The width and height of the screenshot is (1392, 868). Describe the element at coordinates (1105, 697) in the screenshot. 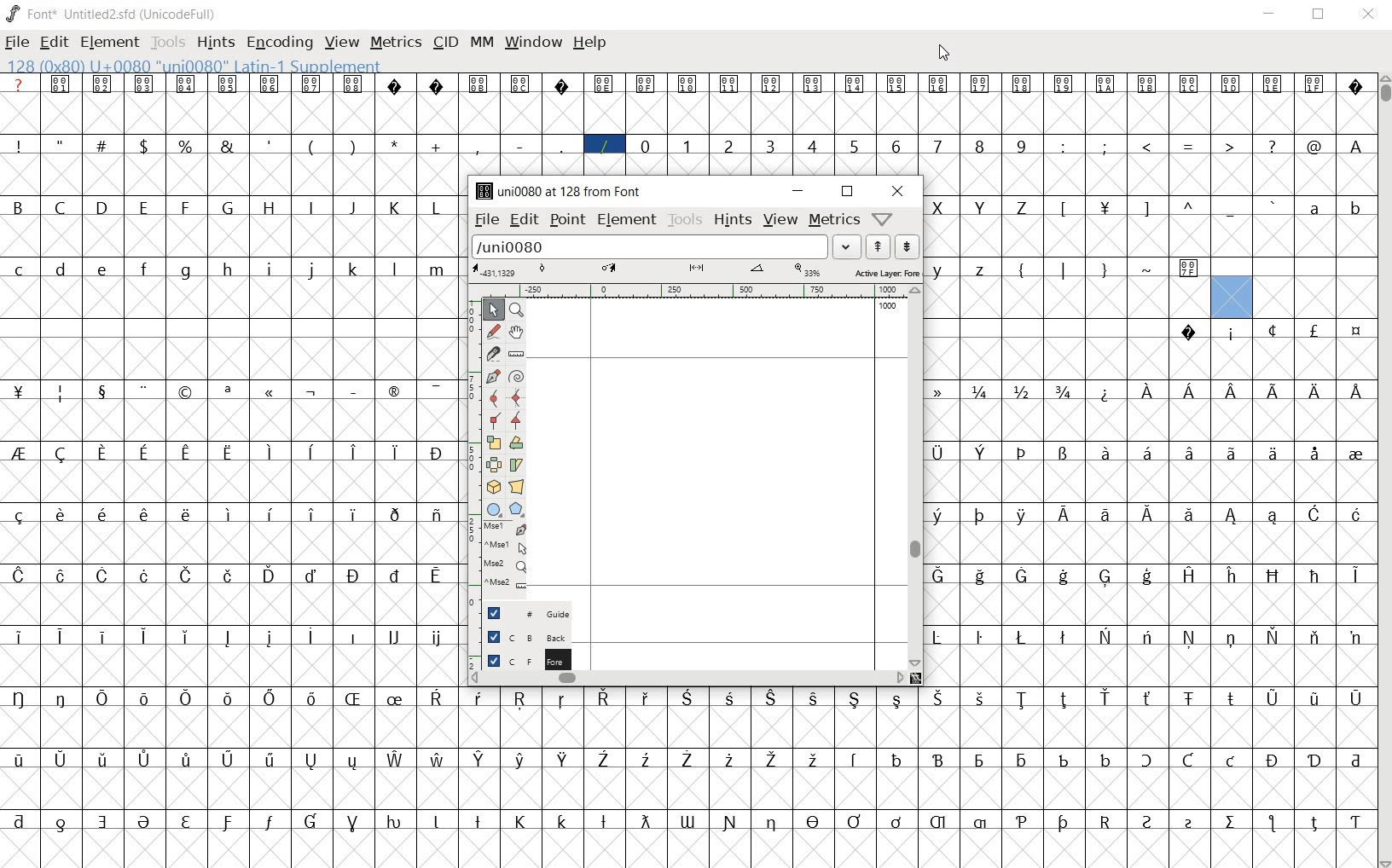

I see `glyph` at that location.